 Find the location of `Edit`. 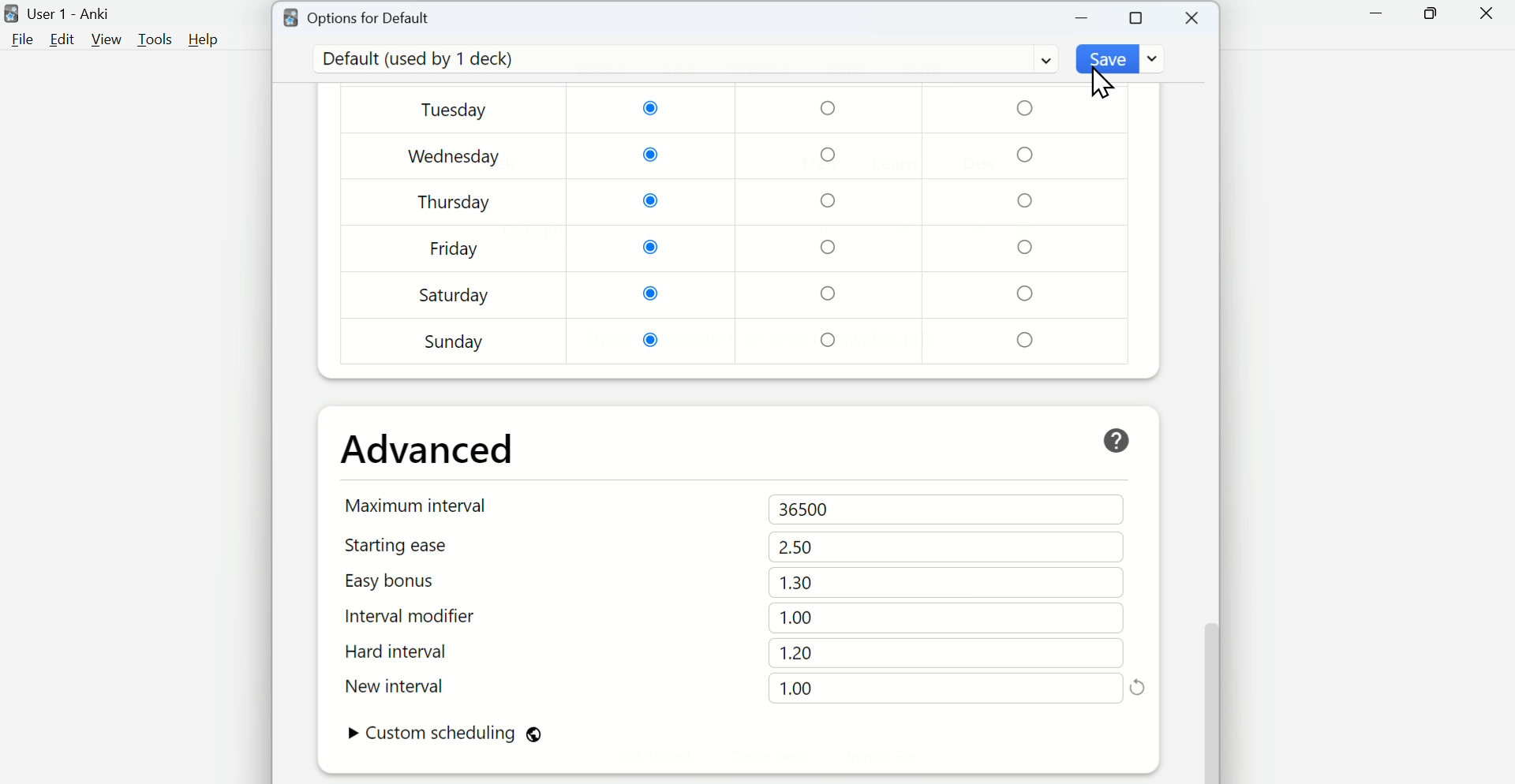

Edit is located at coordinates (62, 39).